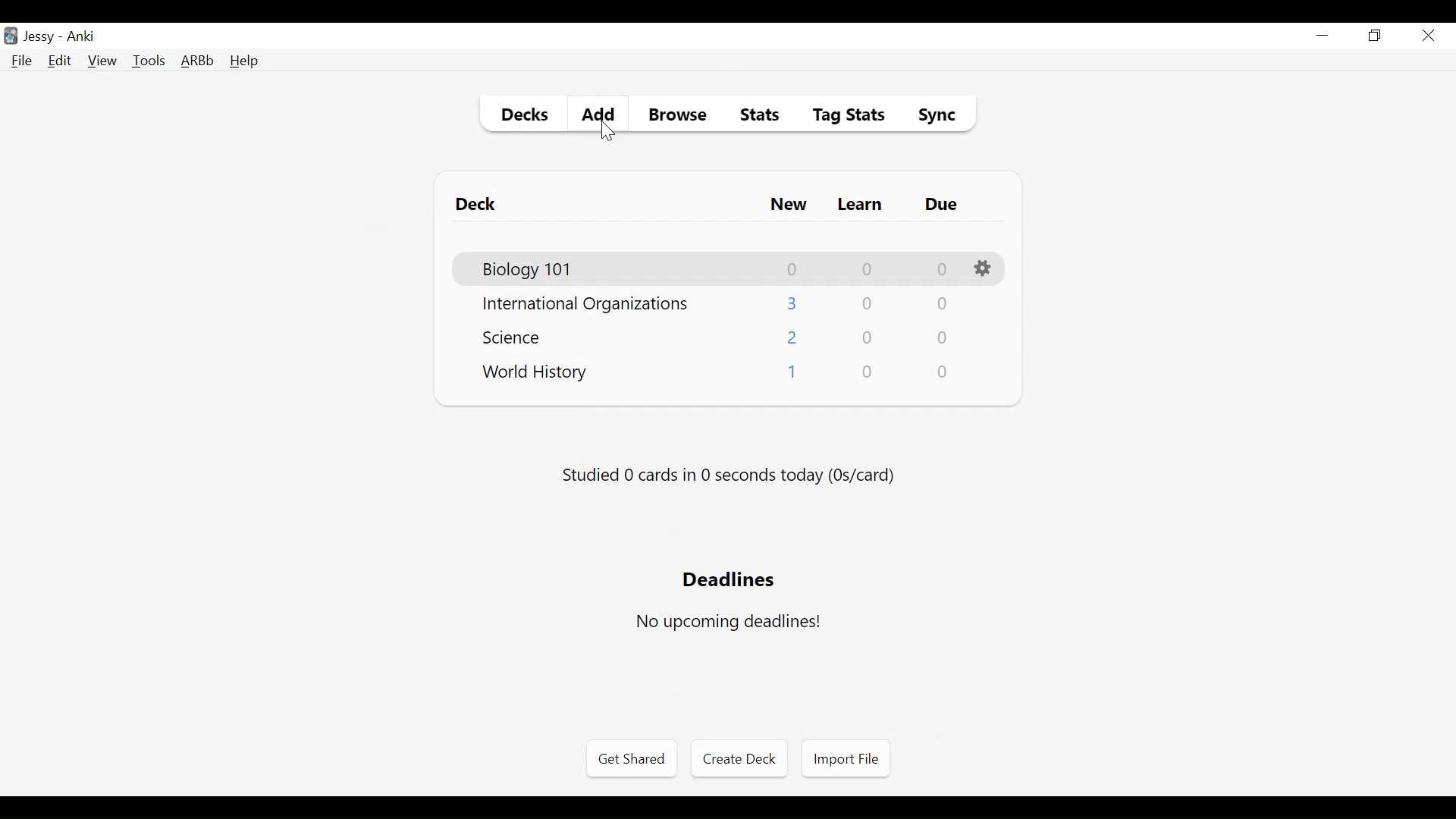  What do you see at coordinates (243, 62) in the screenshot?
I see `Help` at bounding box center [243, 62].